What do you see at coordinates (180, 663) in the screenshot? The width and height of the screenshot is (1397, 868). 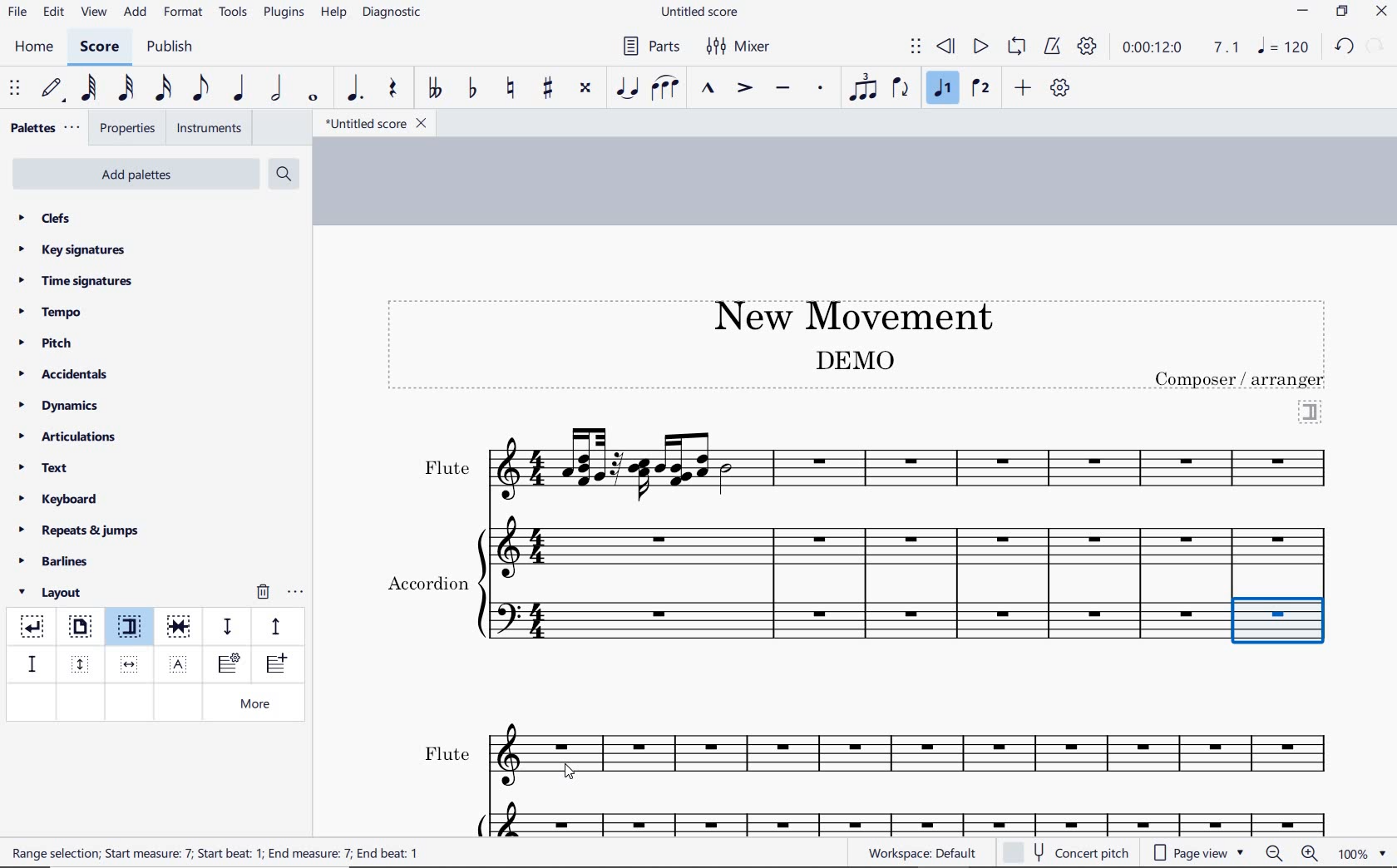 I see `insert text frame` at bounding box center [180, 663].